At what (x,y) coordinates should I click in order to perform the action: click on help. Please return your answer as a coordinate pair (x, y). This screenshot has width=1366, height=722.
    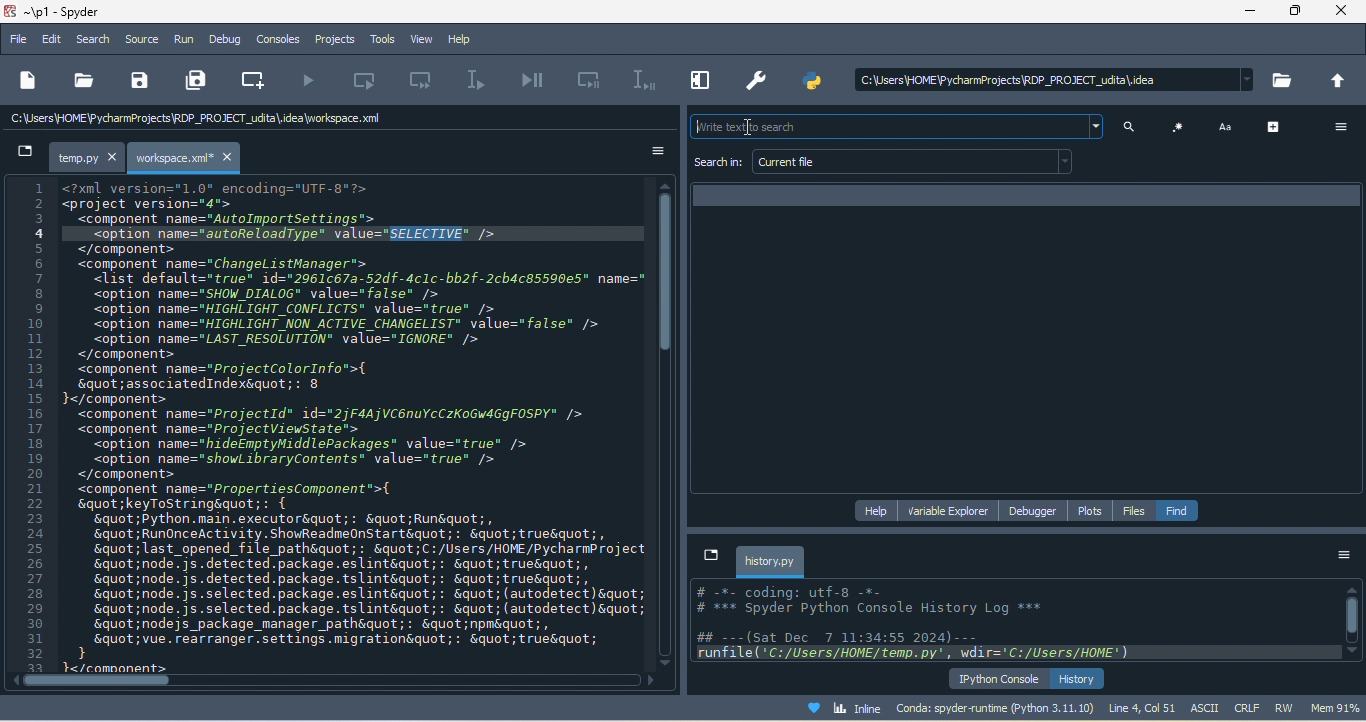
    Looking at the image, I should click on (466, 40).